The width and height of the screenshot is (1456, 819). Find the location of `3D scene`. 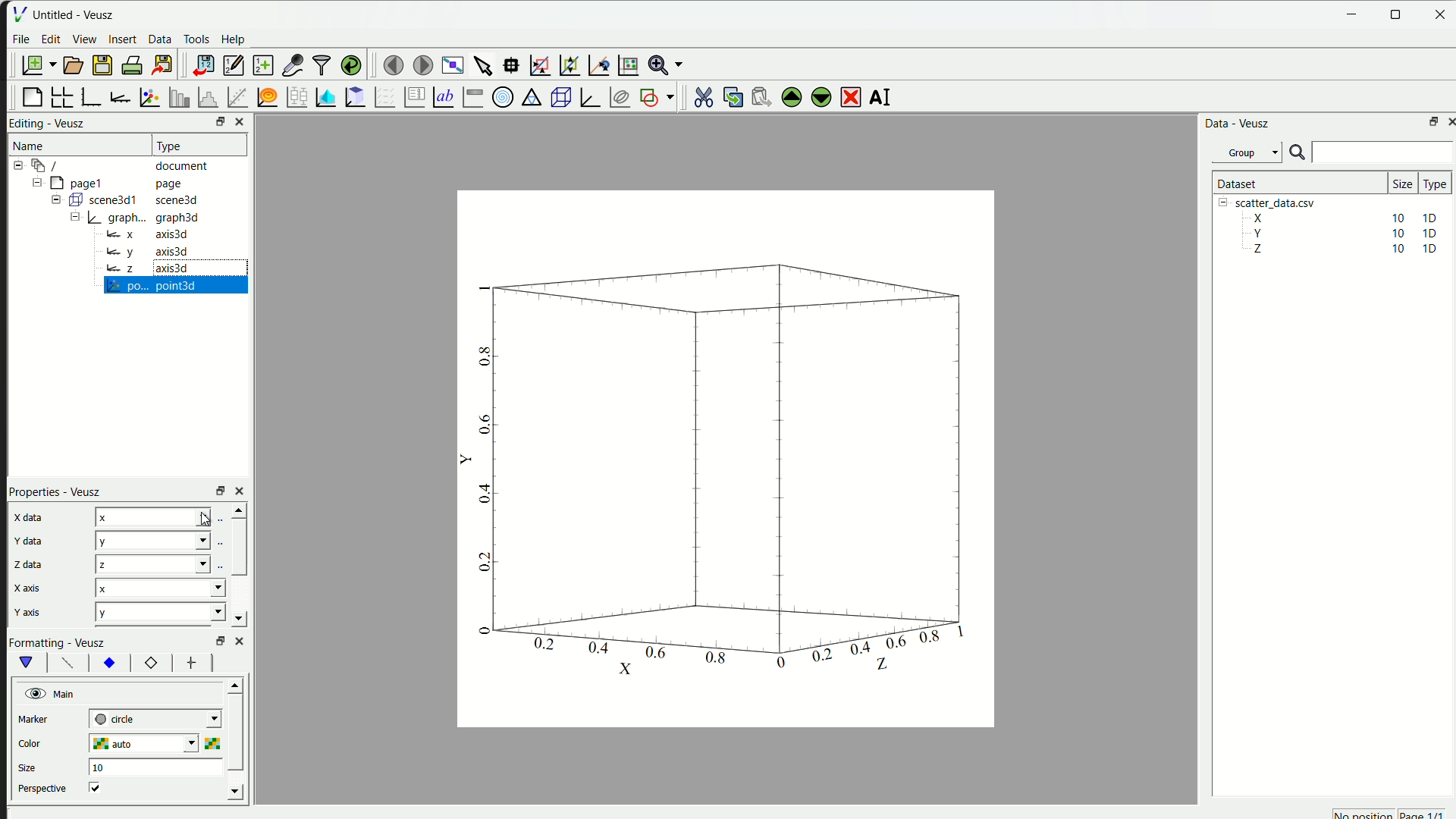

3D scene is located at coordinates (559, 96).